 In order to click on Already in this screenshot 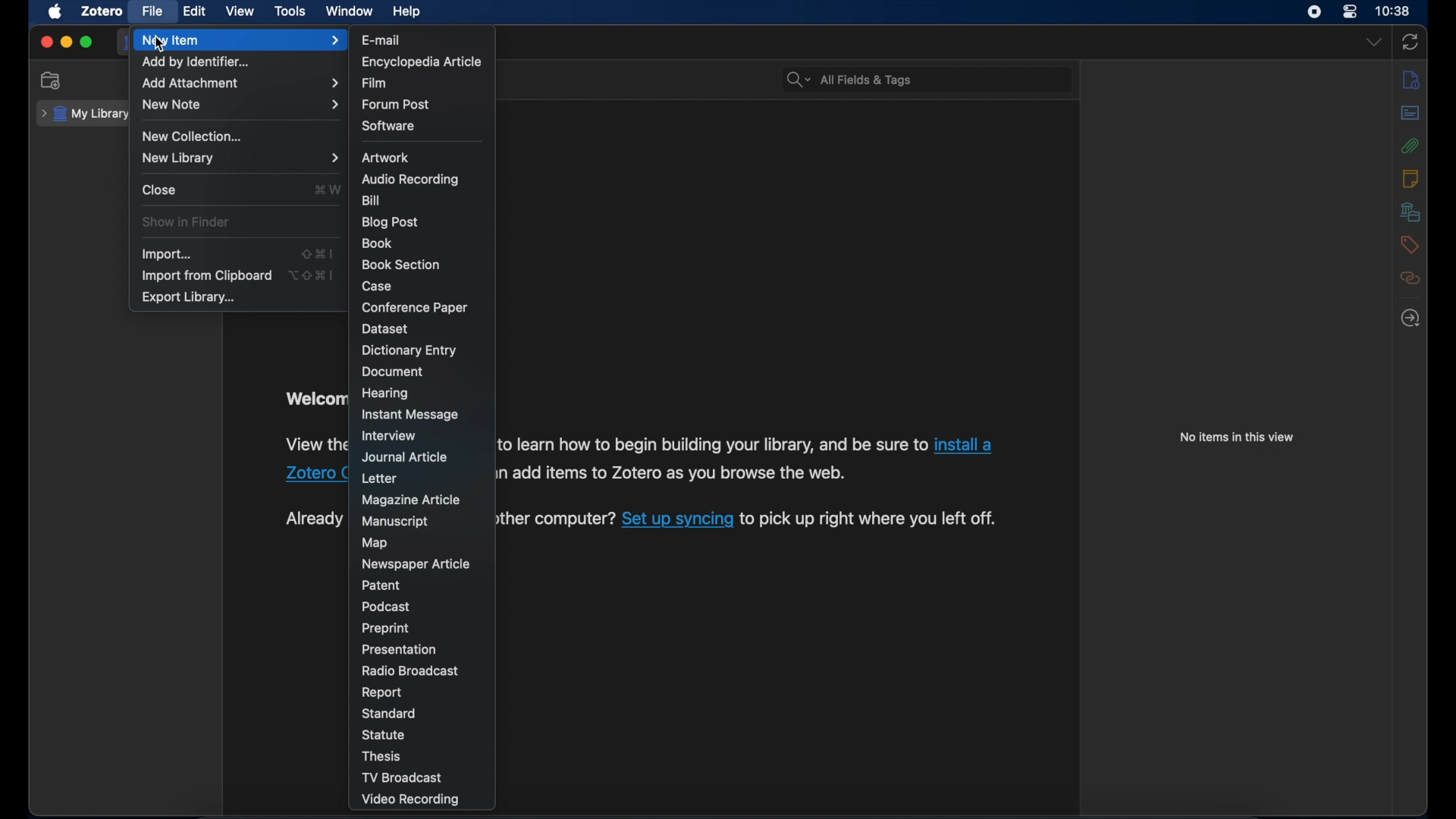, I will do `click(313, 519)`.